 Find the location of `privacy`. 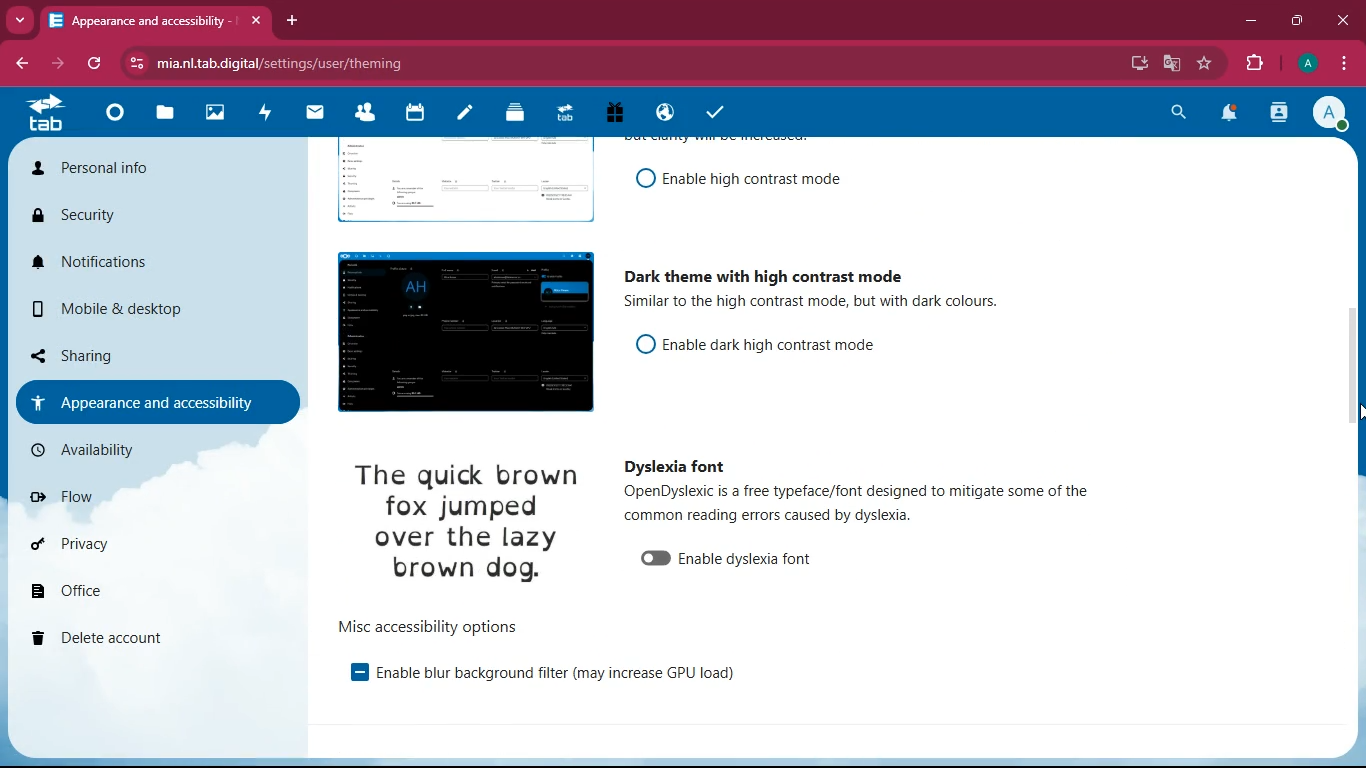

privacy is located at coordinates (110, 543).